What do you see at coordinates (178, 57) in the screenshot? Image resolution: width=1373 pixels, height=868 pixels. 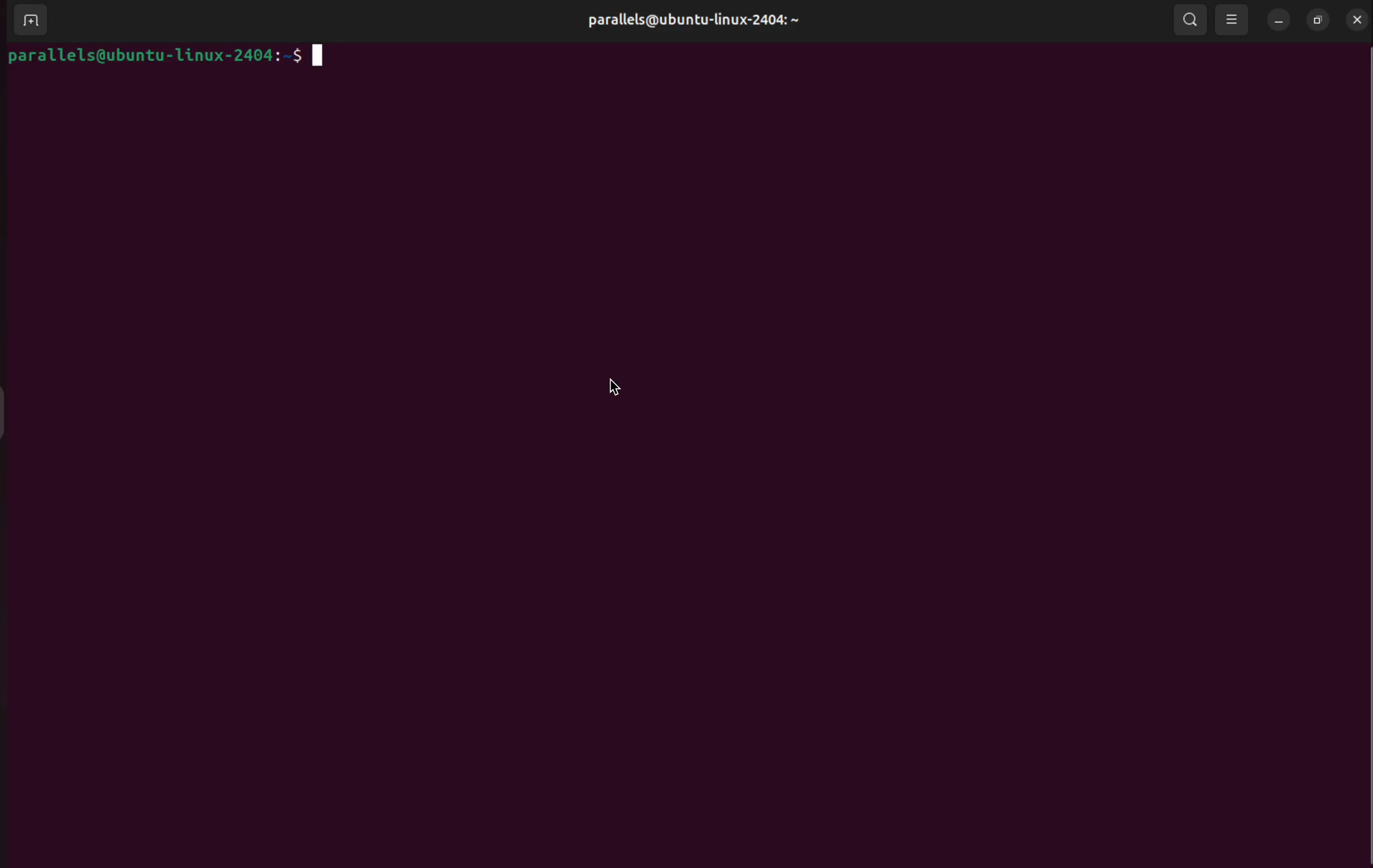 I see `bash prompt` at bounding box center [178, 57].